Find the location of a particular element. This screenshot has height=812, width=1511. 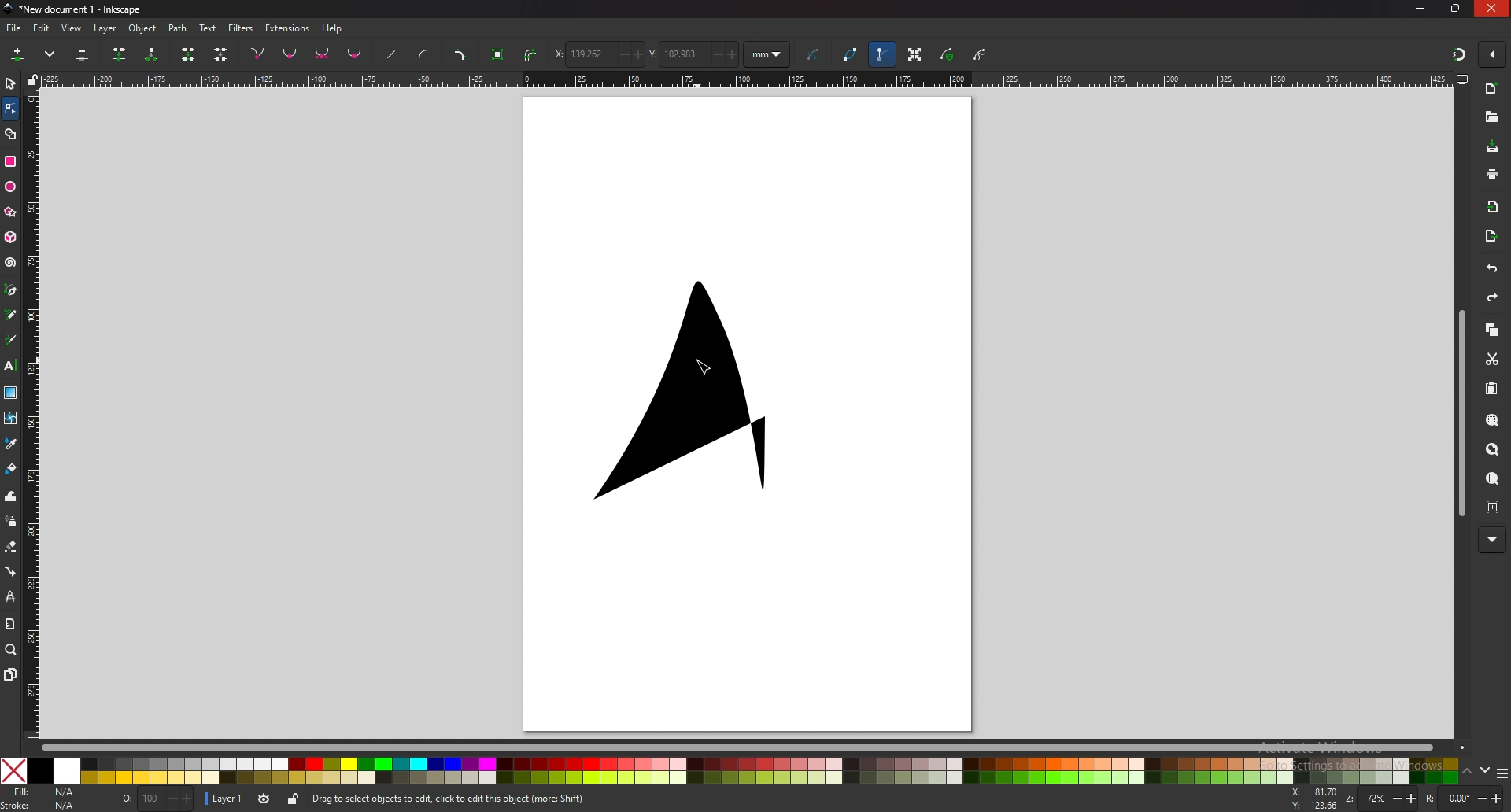

measure is located at coordinates (10, 624).